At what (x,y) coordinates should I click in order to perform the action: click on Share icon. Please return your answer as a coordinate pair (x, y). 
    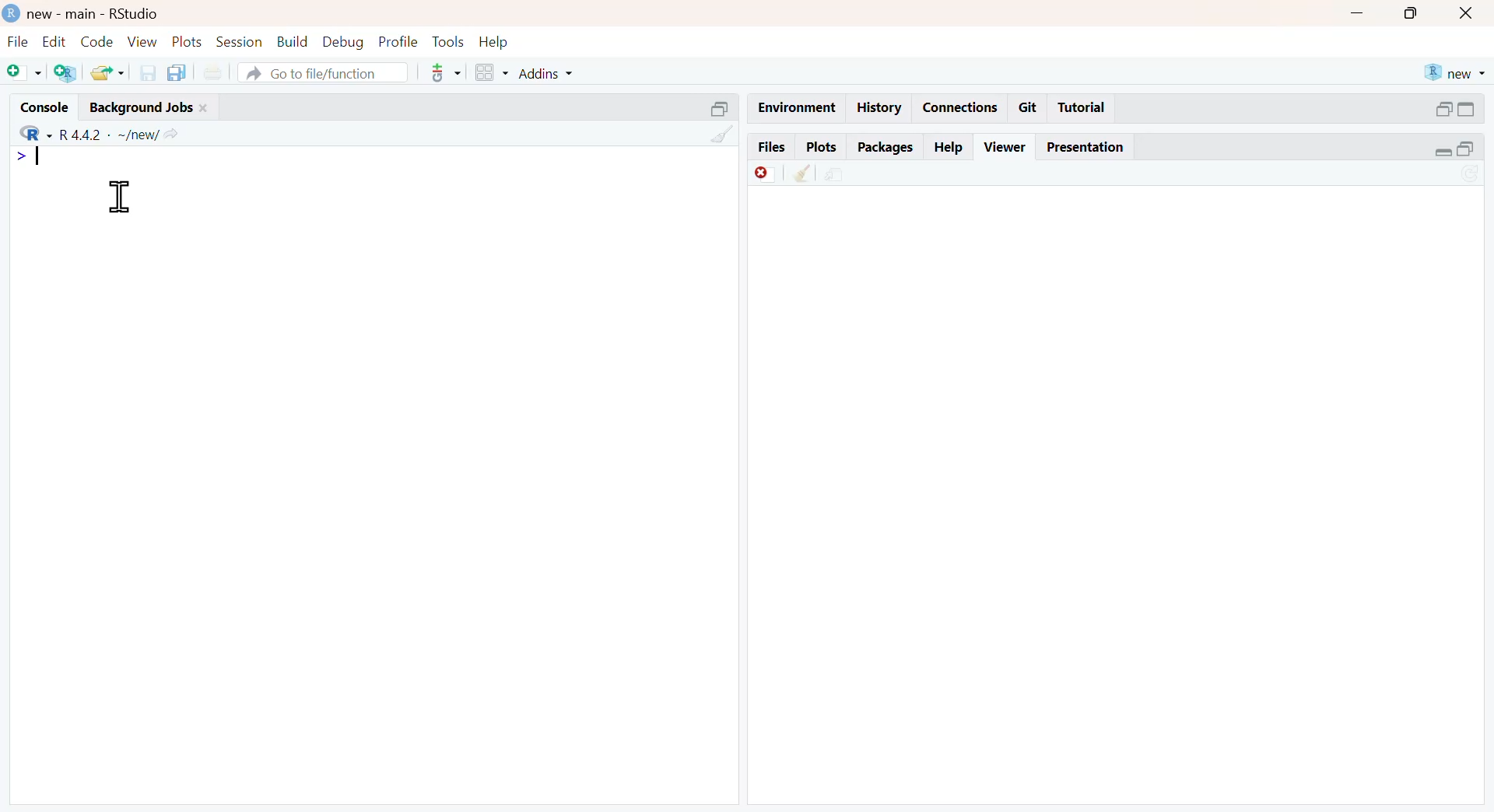
    Looking at the image, I should click on (173, 134).